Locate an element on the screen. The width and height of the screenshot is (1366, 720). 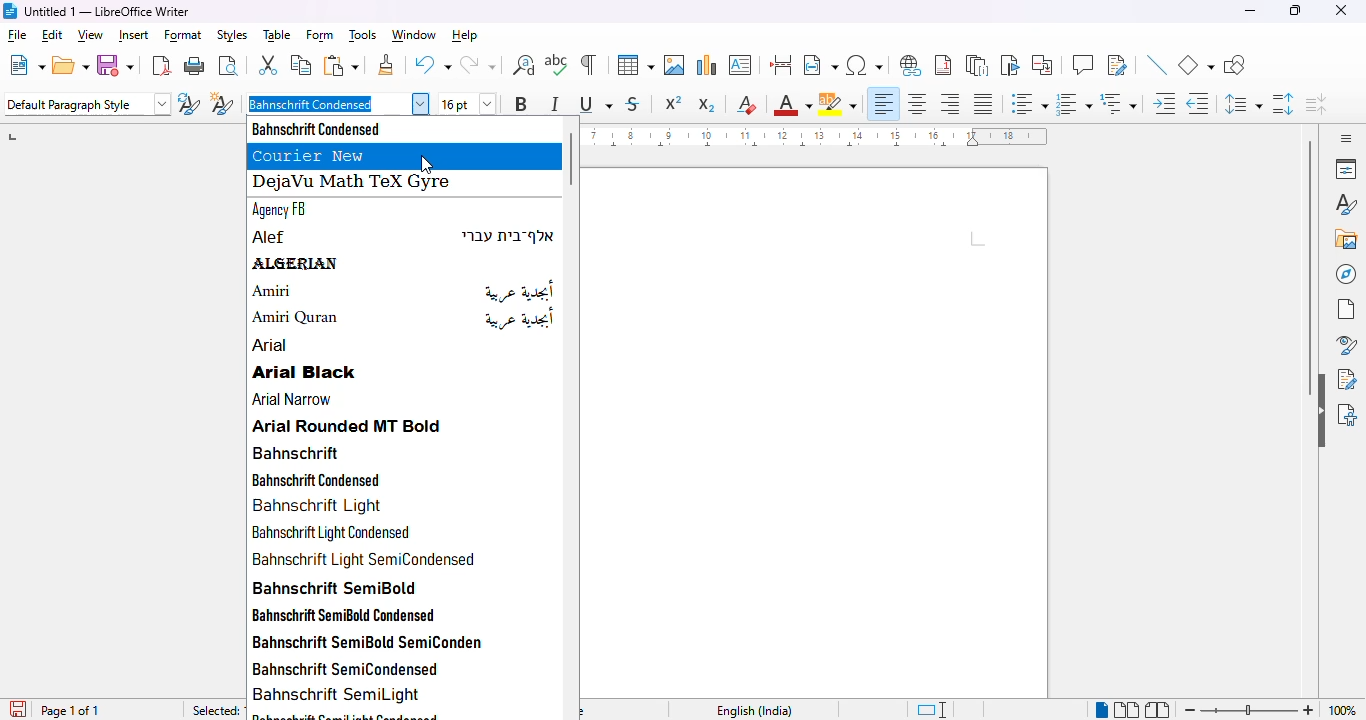
insert hyperlink is located at coordinates (912, 65).